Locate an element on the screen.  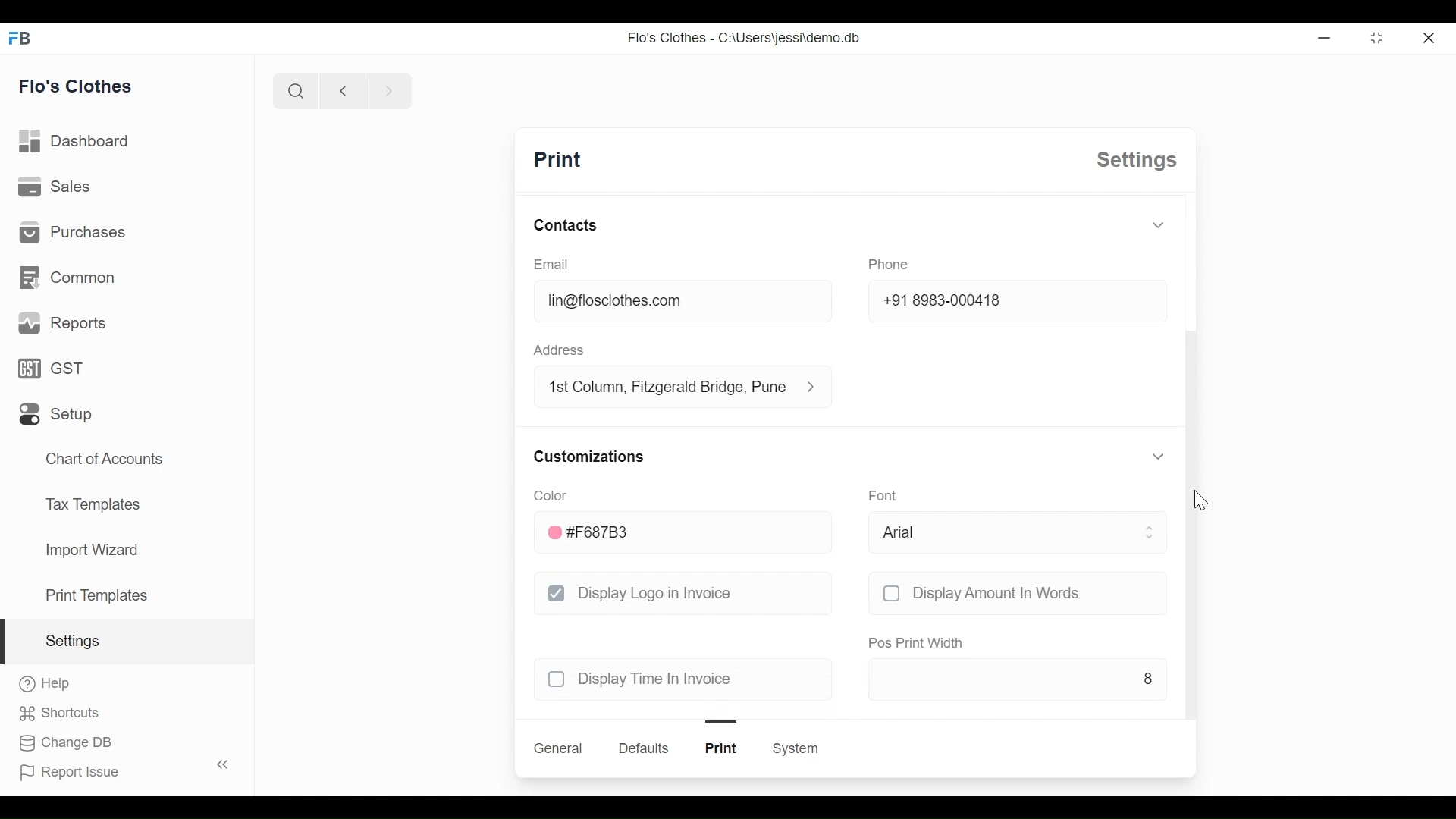
display amount in words is located at coordinates (998, 593).